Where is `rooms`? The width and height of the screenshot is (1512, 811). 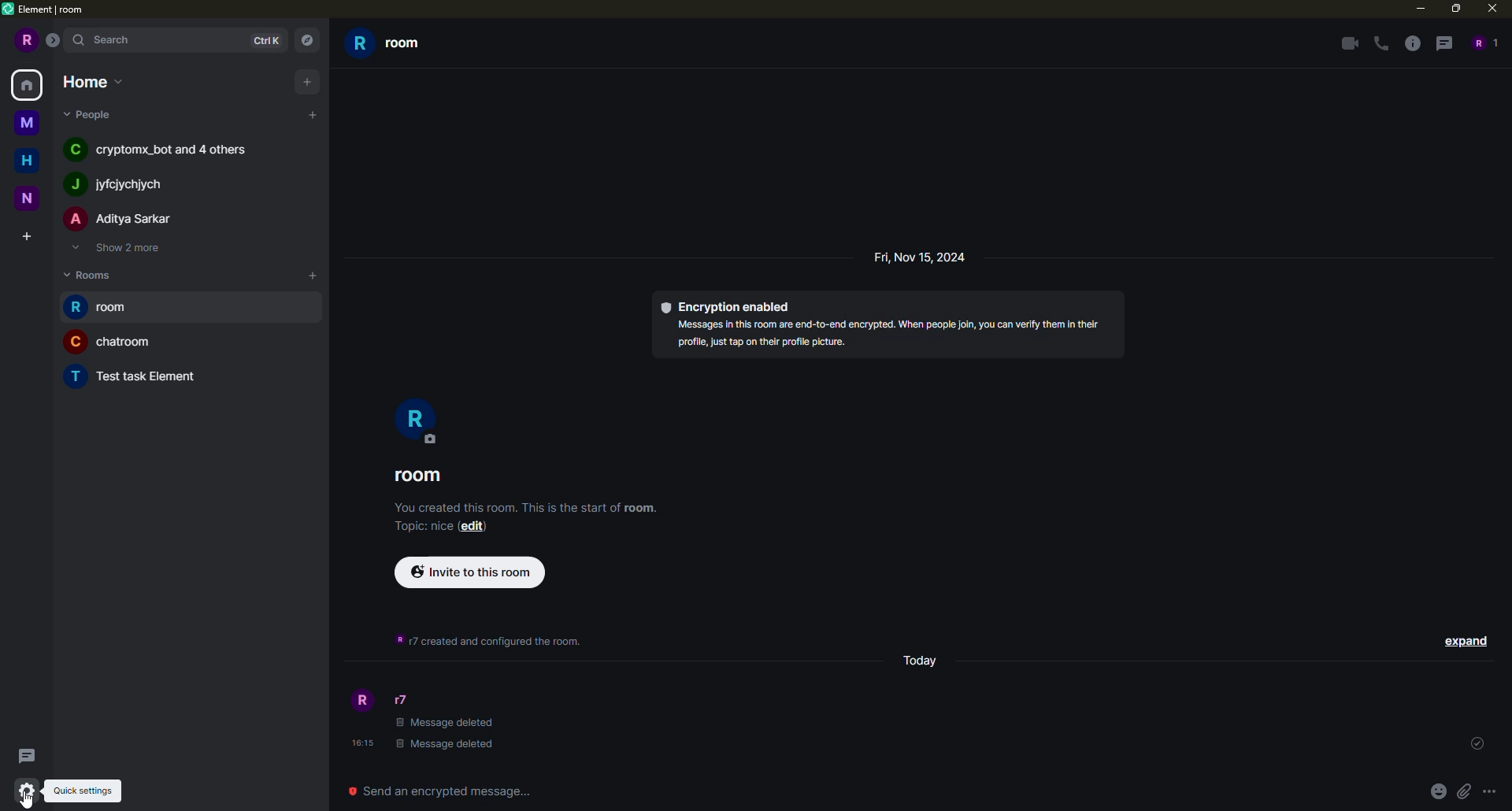
rooms is located at coordinates (94, 273).